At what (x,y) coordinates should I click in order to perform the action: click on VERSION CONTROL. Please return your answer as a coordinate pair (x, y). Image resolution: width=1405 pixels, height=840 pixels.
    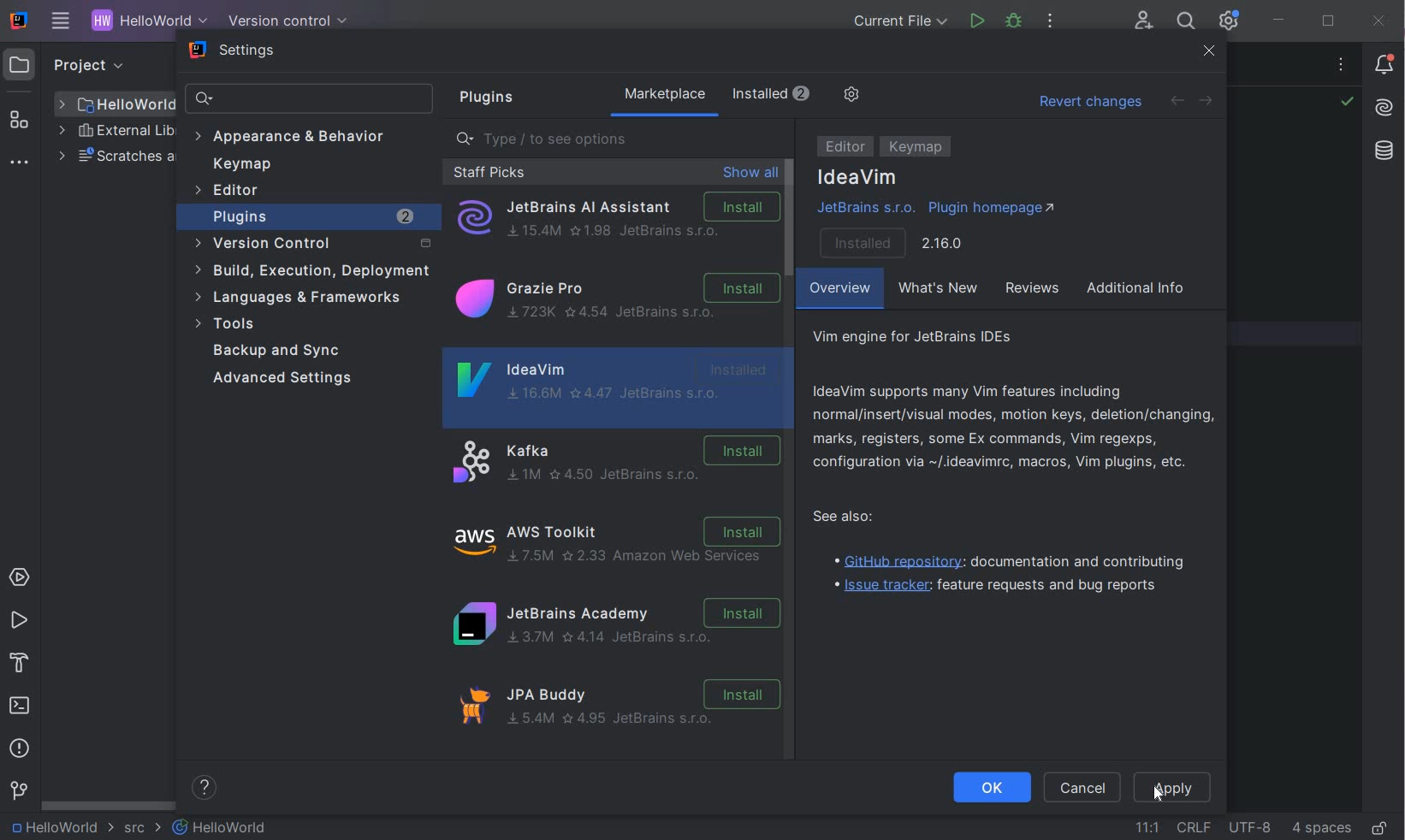
    Looking at the image, I should click on (284, 21).